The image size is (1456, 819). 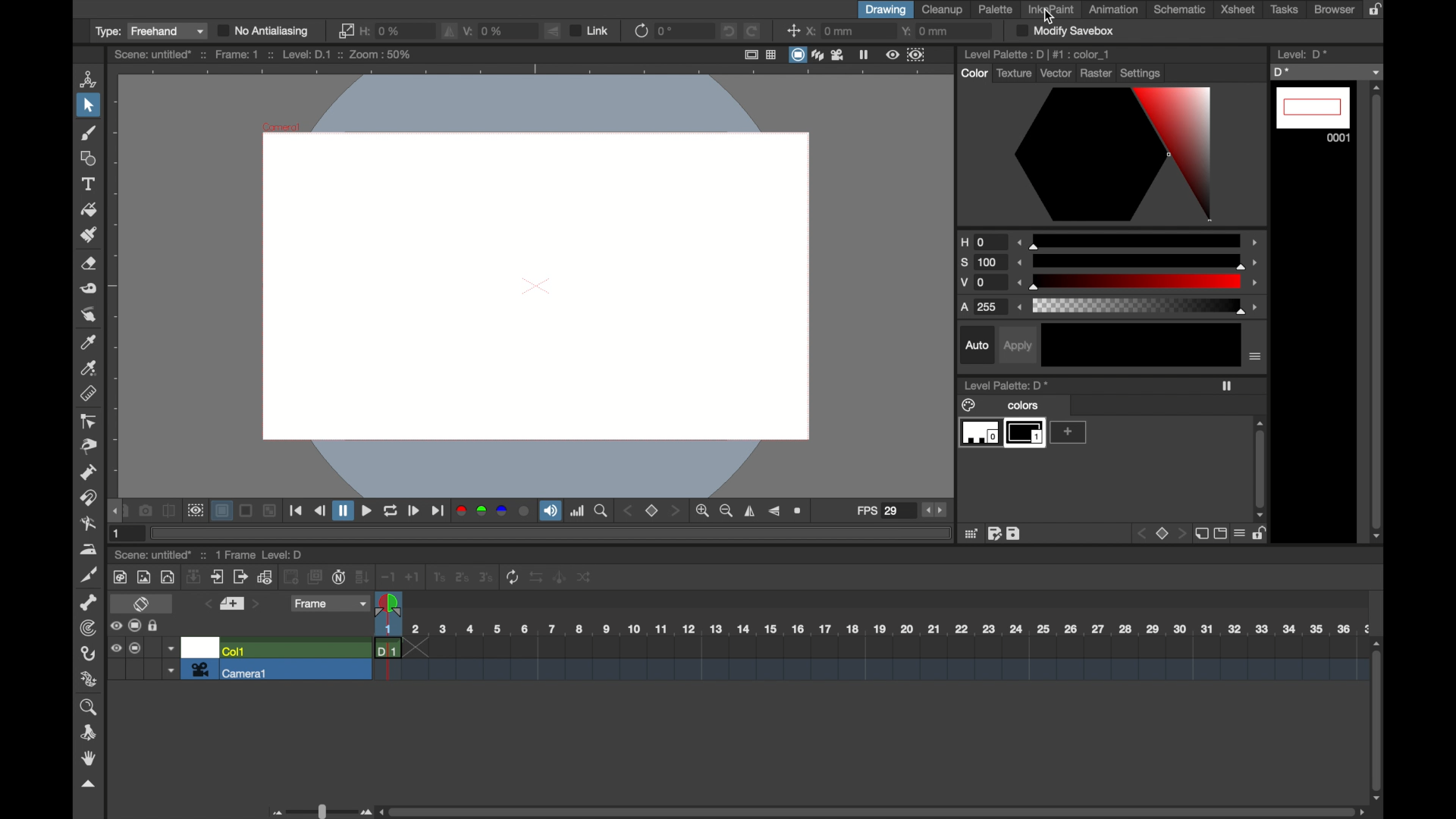 I want to click on stop, so click(x=1163, y=535).